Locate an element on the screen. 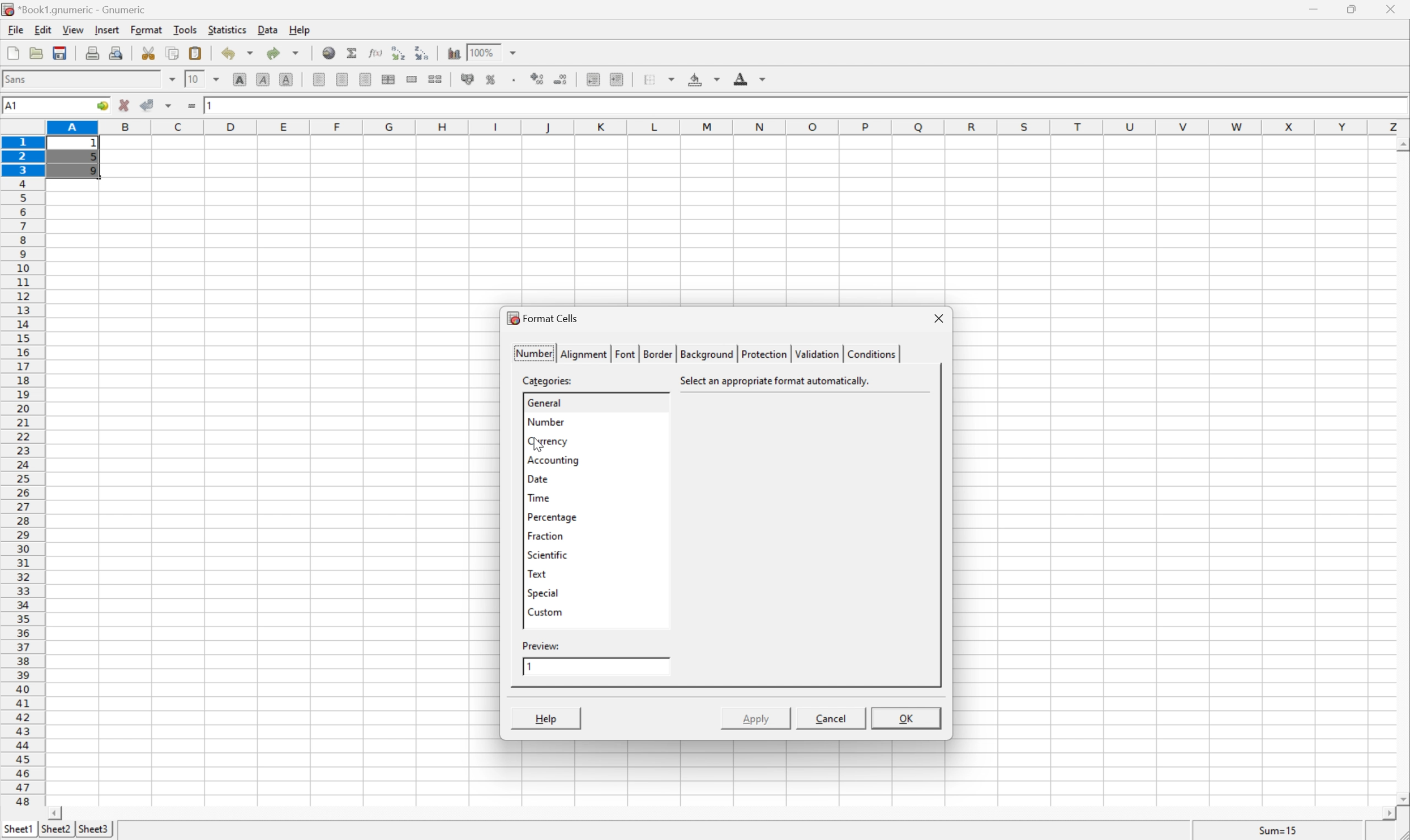 The image size is (1410, 840). 5 is located at coordinates (93, 158).